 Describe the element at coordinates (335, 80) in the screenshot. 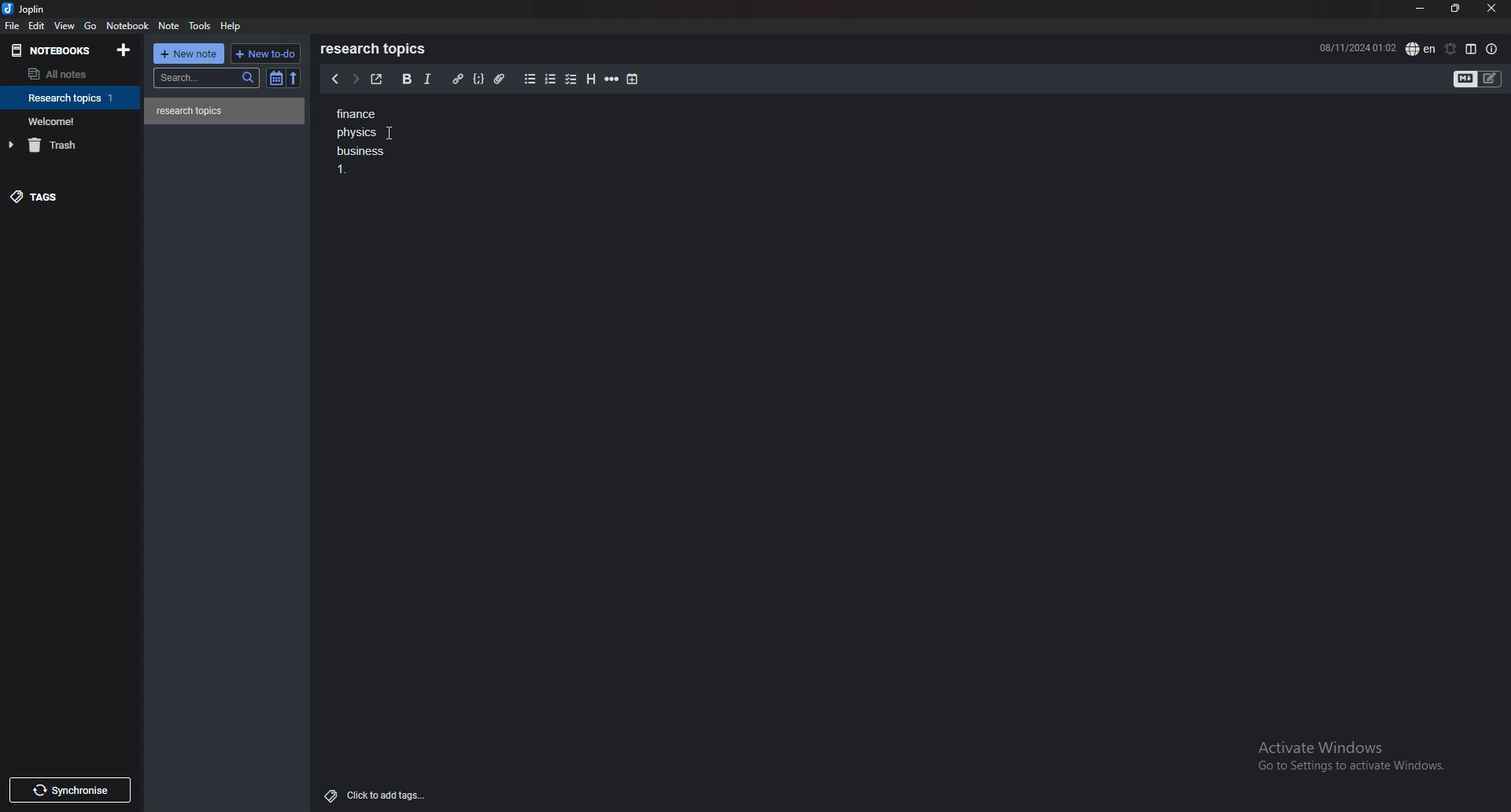

I see `previous` at that location.